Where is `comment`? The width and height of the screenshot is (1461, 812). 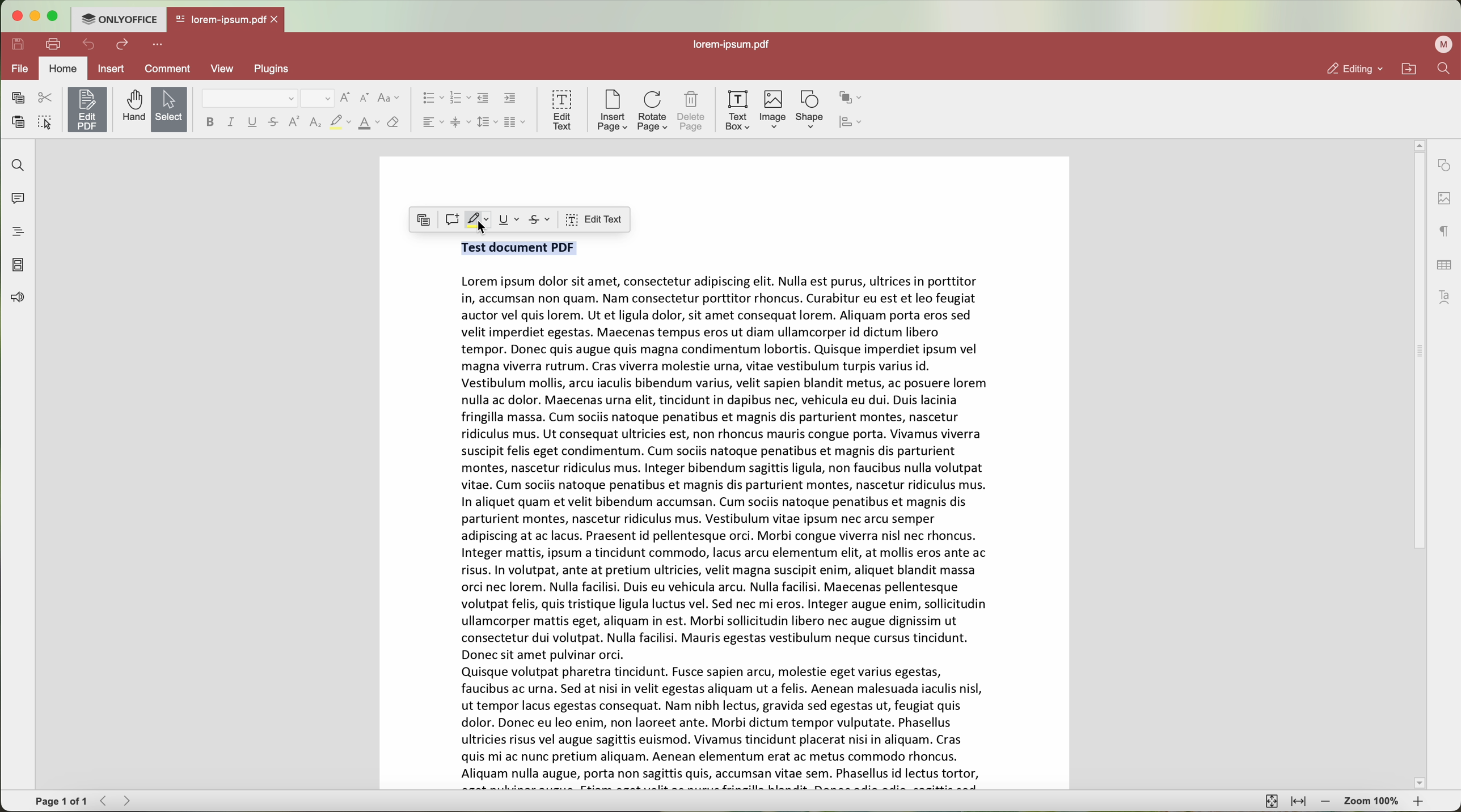
comment is located at coordinates (453, 221).